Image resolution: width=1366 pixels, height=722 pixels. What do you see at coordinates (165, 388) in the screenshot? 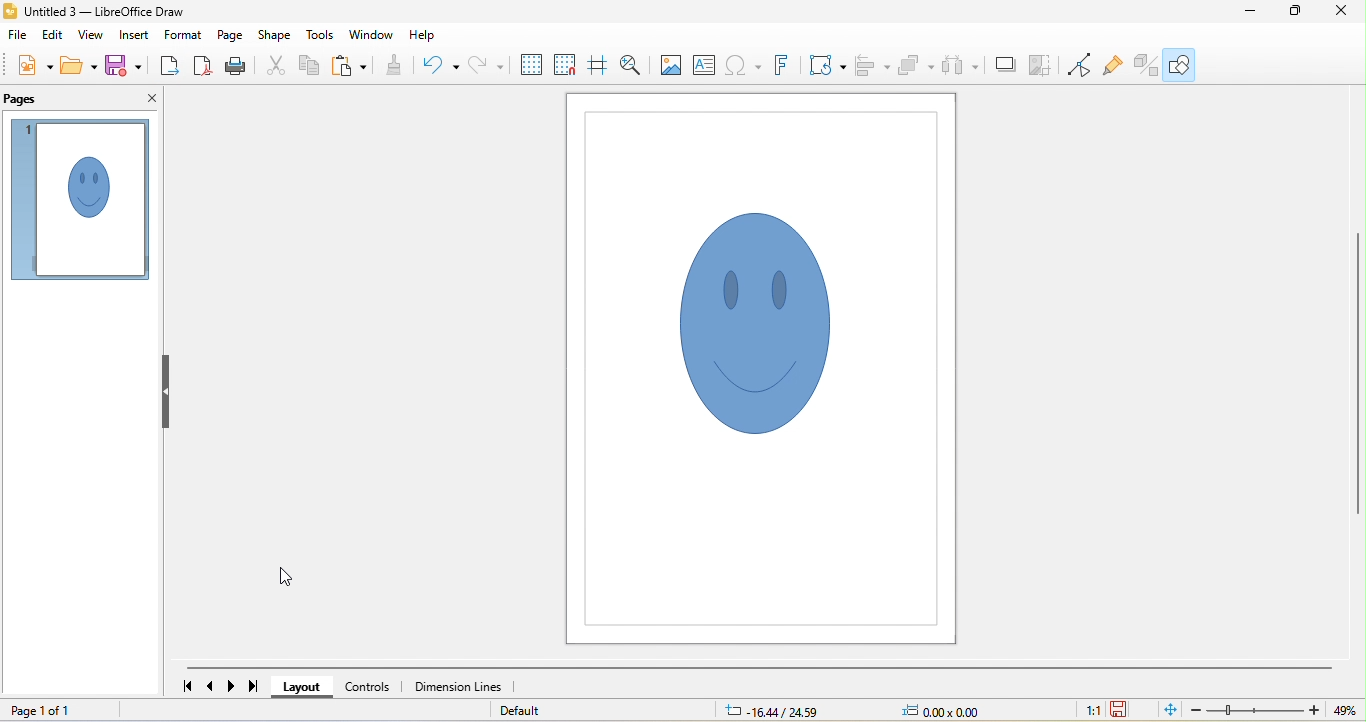
I see `hide` at bounding box center [165, 388].